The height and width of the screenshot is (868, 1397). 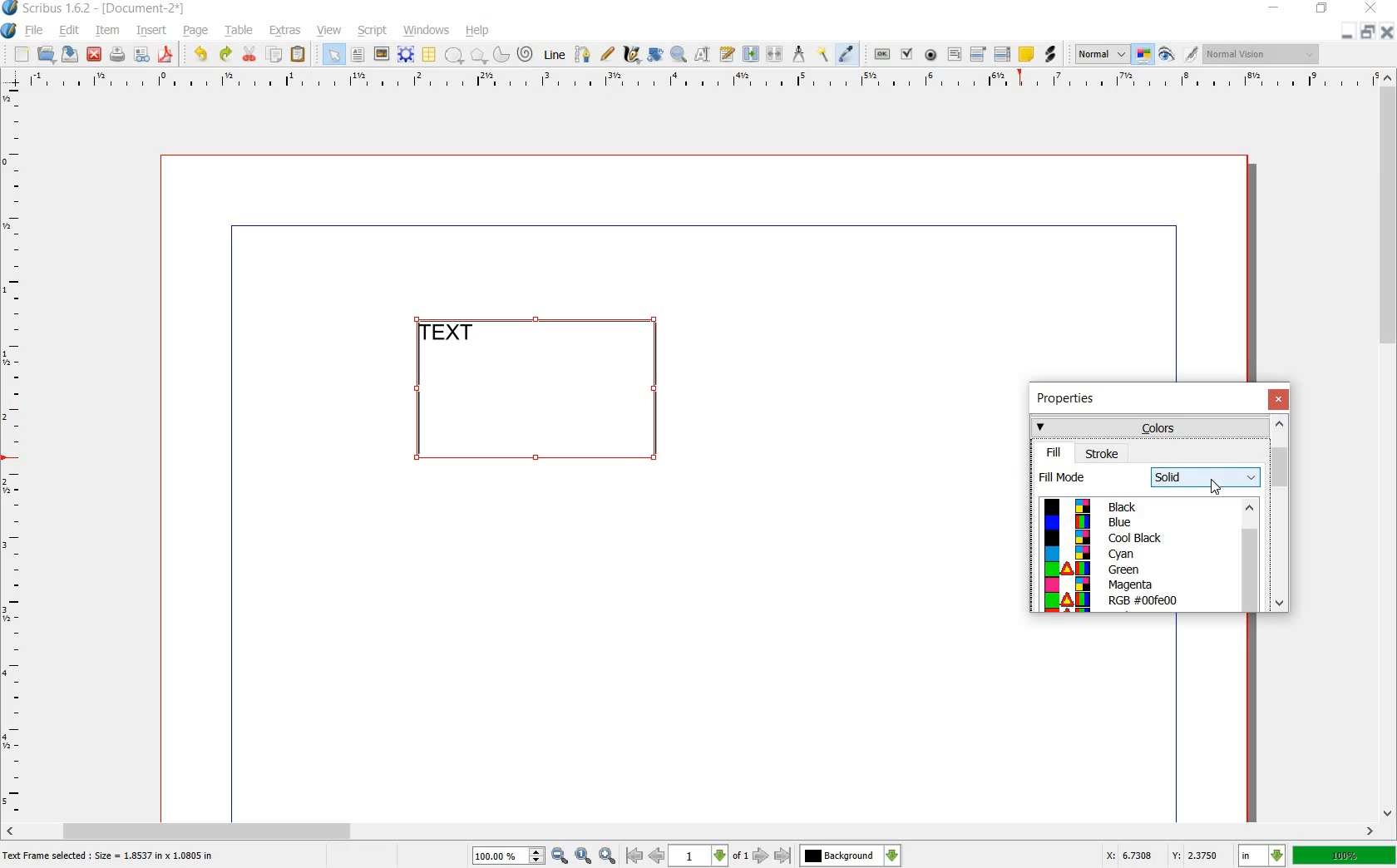 What do you see at coordinates (882, 52) in the screenshot?
I see `pdf push button` at bounding box center [882, 52].